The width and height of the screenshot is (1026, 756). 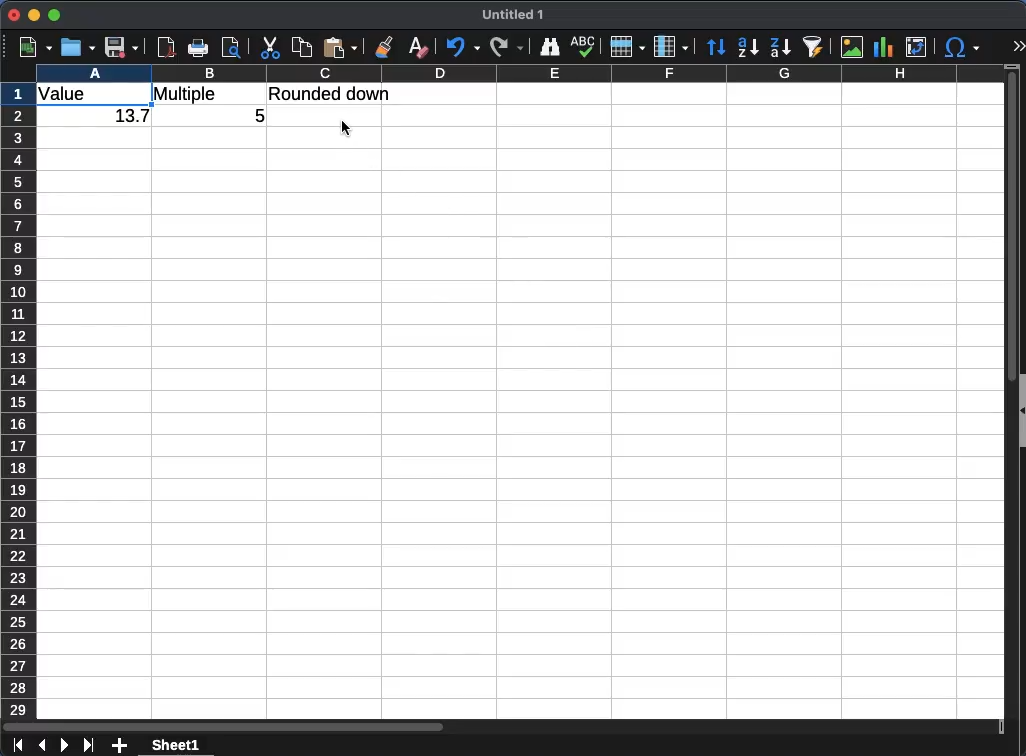 I want to click on previous sheet, so click(x=41, y=746).